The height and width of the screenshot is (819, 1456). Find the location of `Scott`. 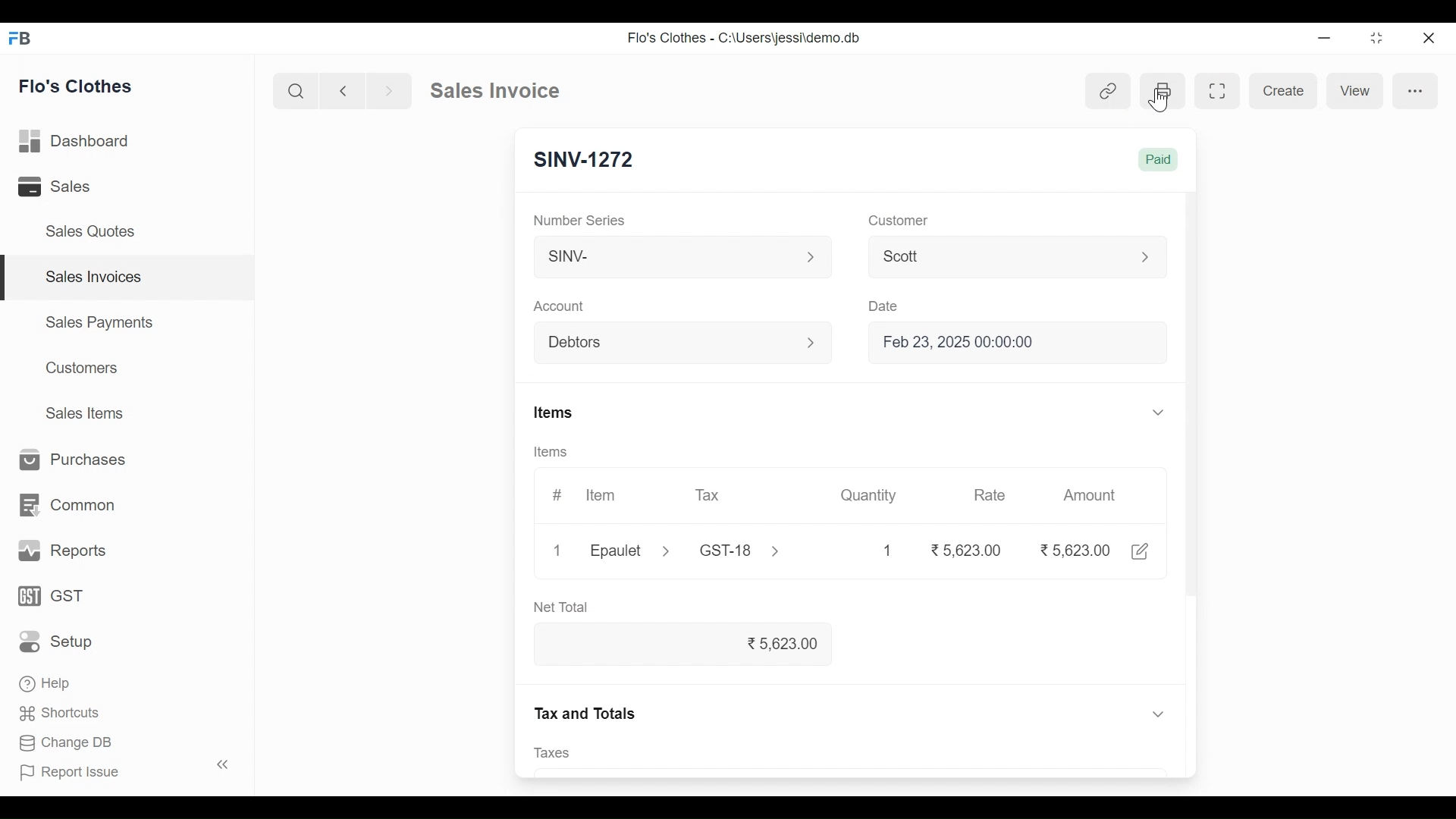

Scott is located at coordinates (1007, 259).